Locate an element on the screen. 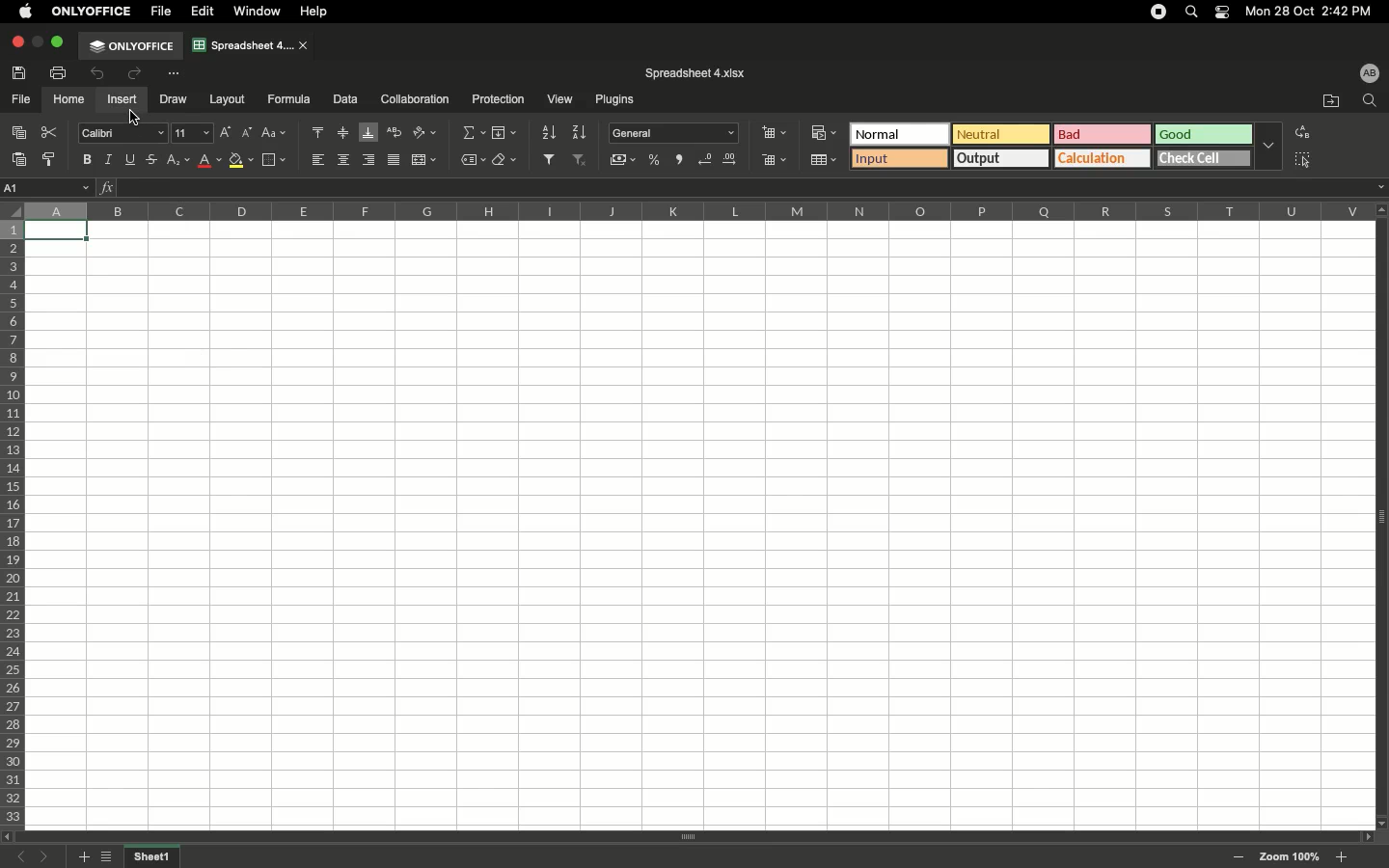 The image size is (1389, 868). Neutral is located at coordinates (1001, 134).